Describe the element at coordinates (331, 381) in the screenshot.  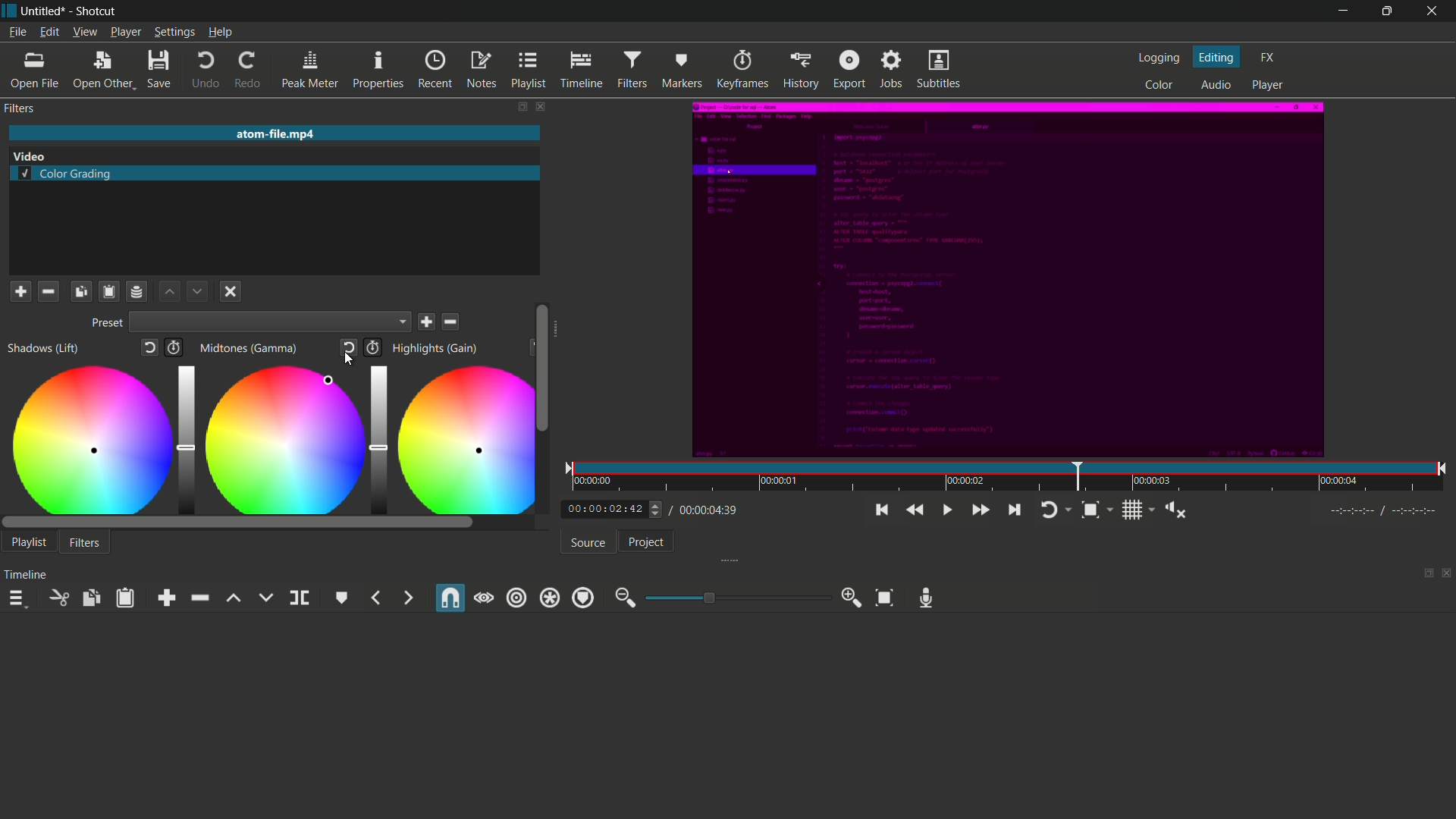
I see `color selector` at that location.